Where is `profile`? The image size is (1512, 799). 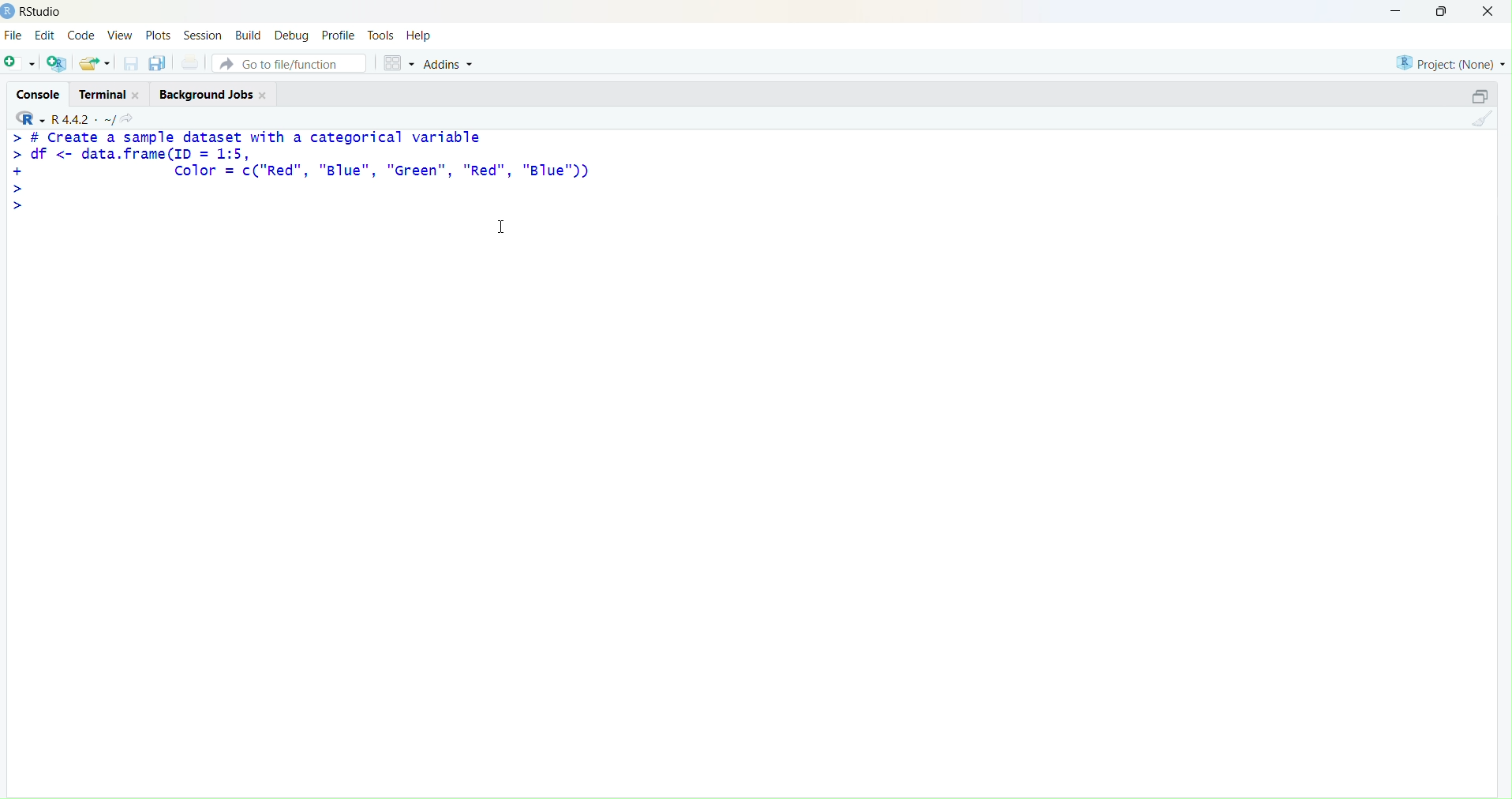 profile is located at coordinates (341, 36).